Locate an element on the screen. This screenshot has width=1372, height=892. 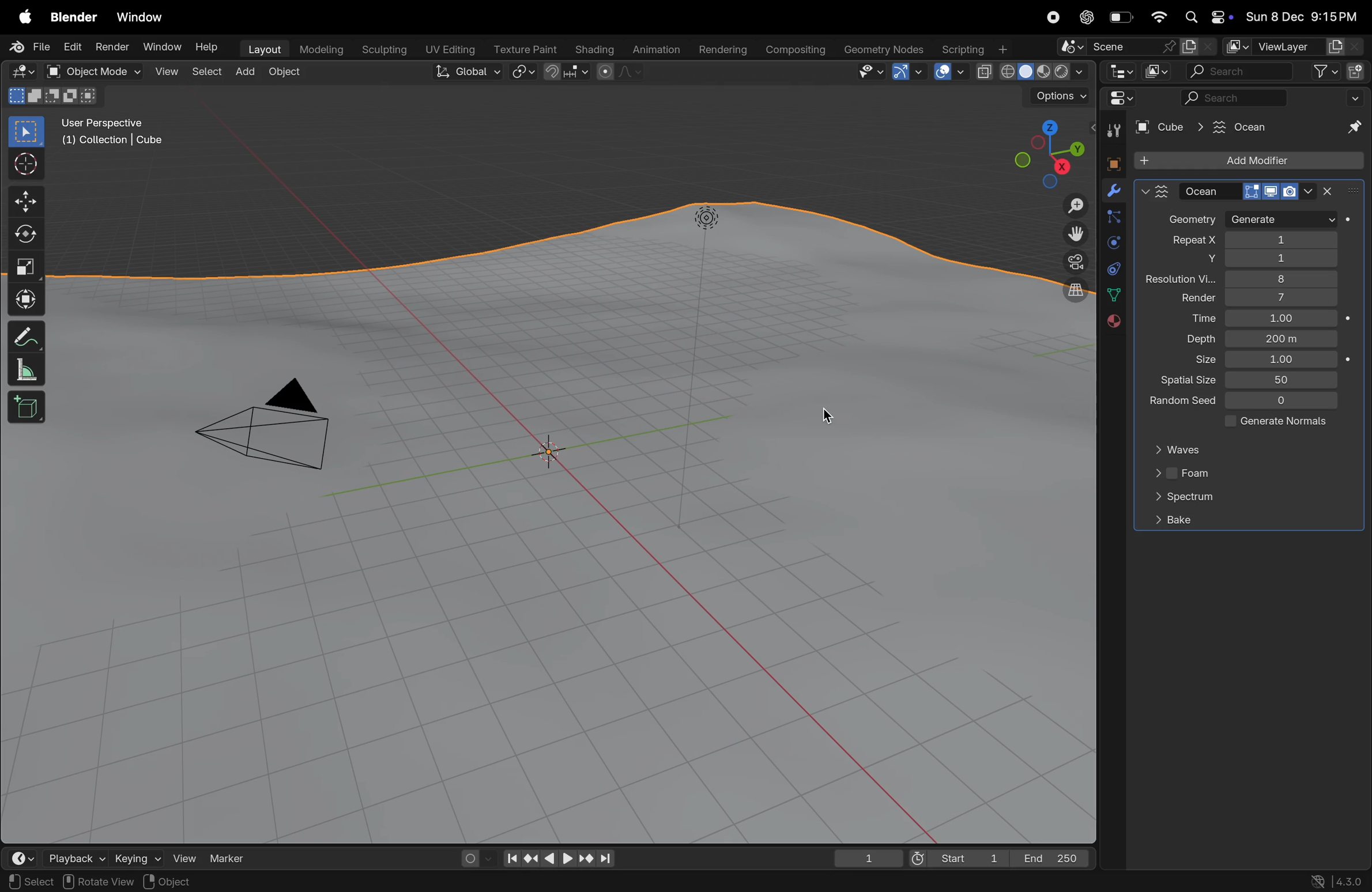
generate normals is located at coordinates (1272, 423).